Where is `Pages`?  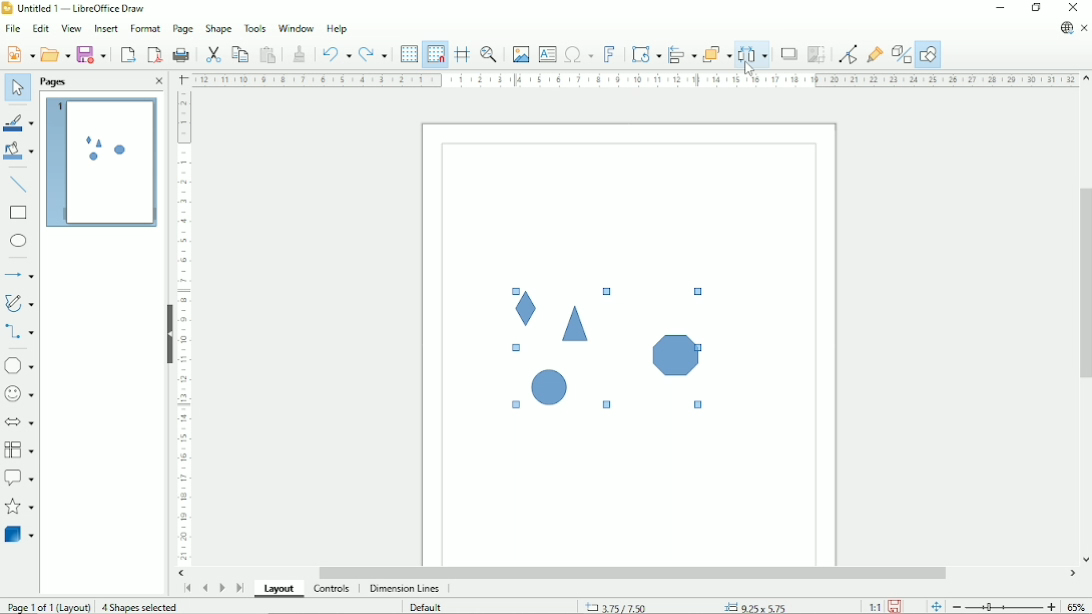
Pages is located at coordinates (52, 81).